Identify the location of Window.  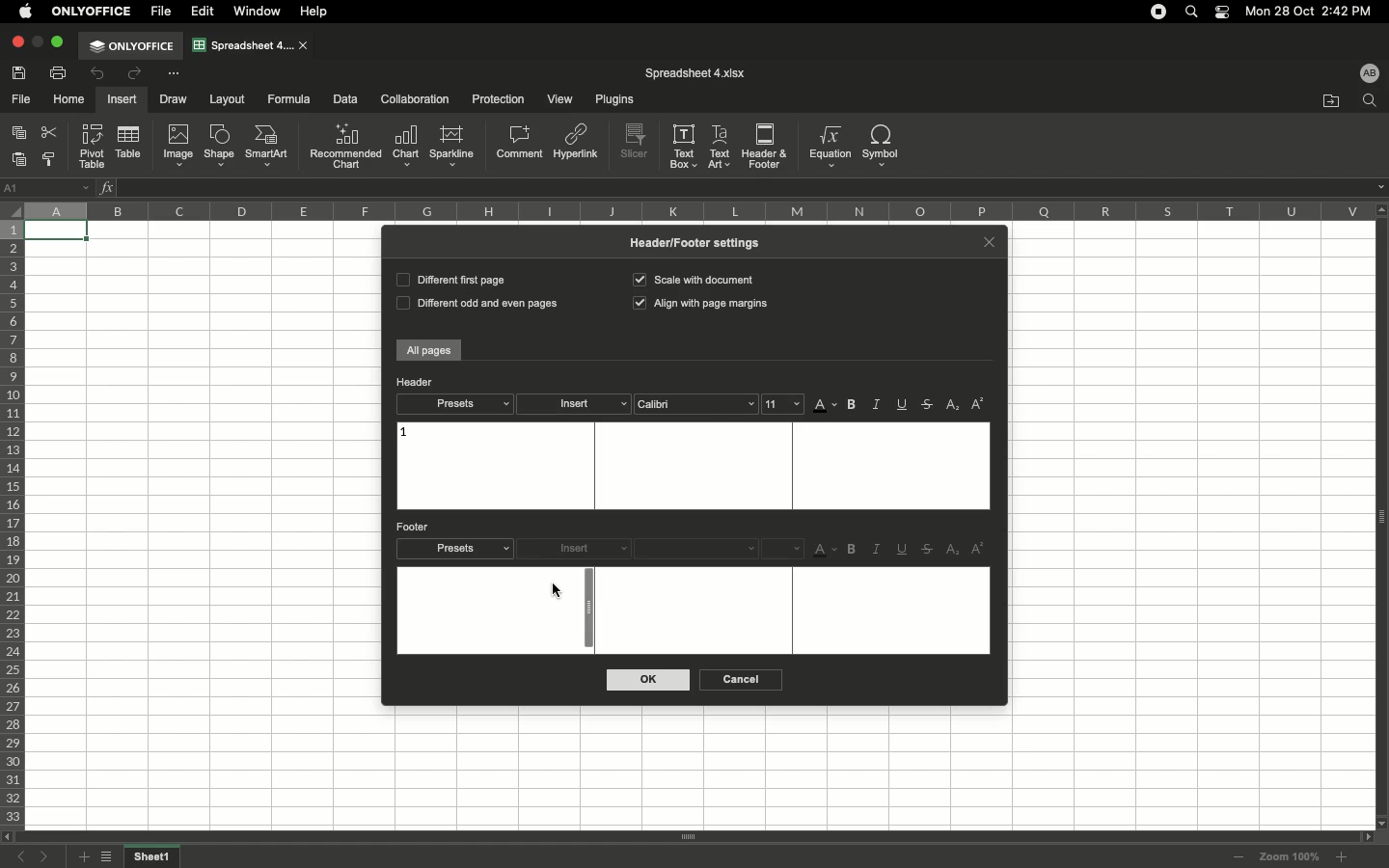
(260, 12).